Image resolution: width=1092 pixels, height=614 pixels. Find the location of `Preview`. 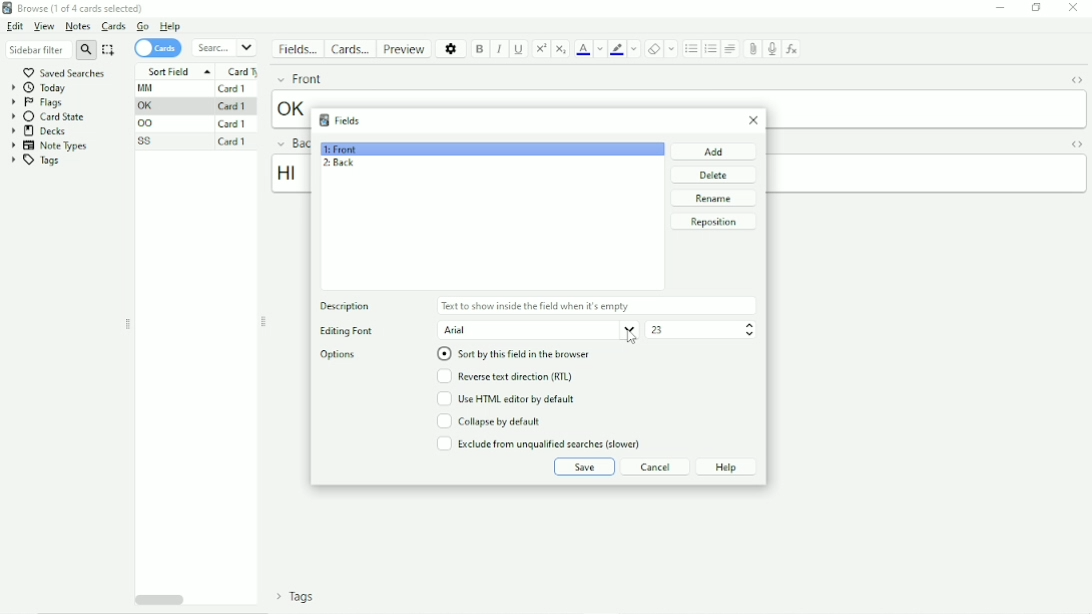

Preview is located at coordinates (406, 48).